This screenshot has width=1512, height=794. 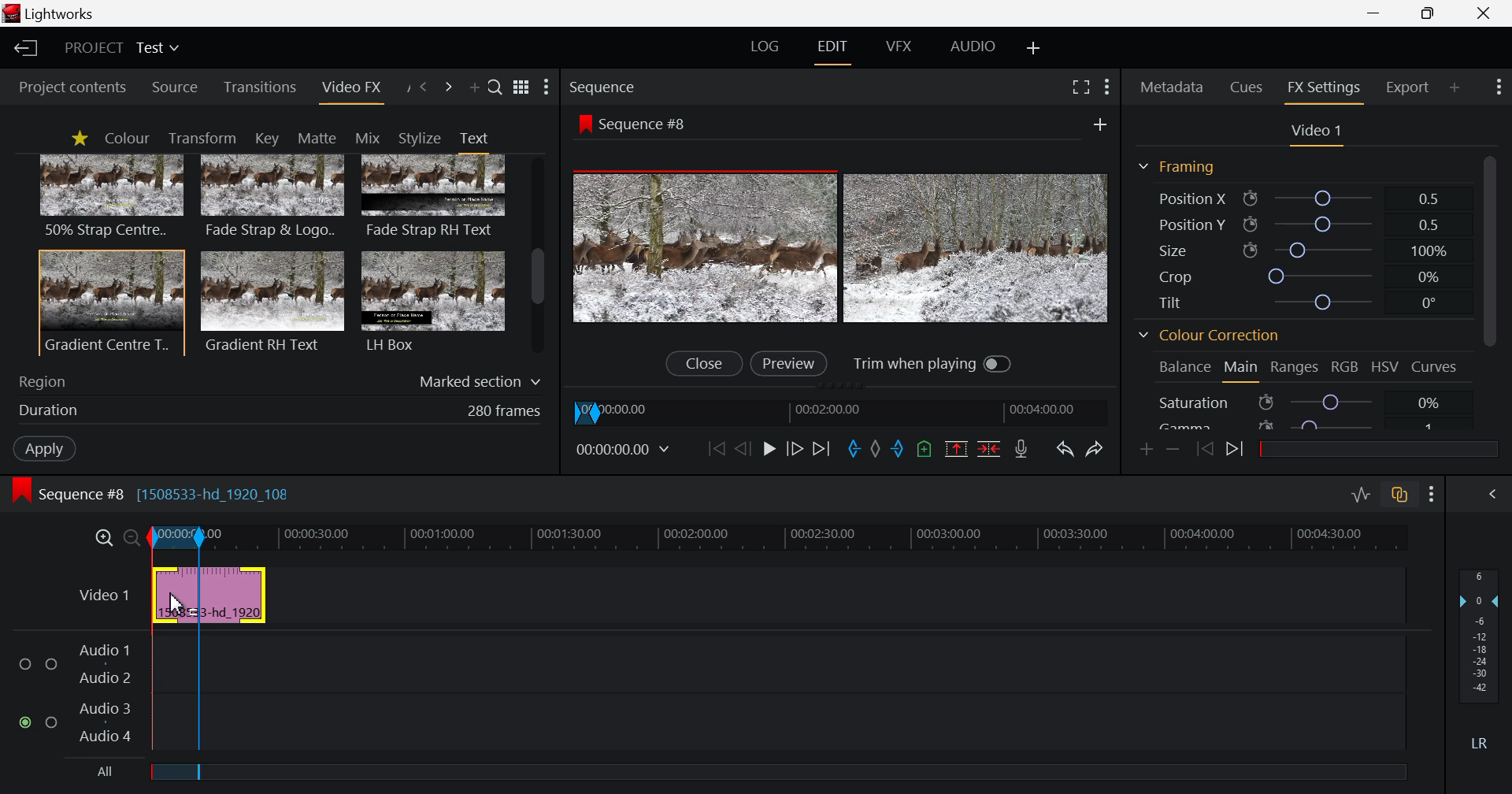 I want to click on Project Timeline, so click(x=775, y=538).